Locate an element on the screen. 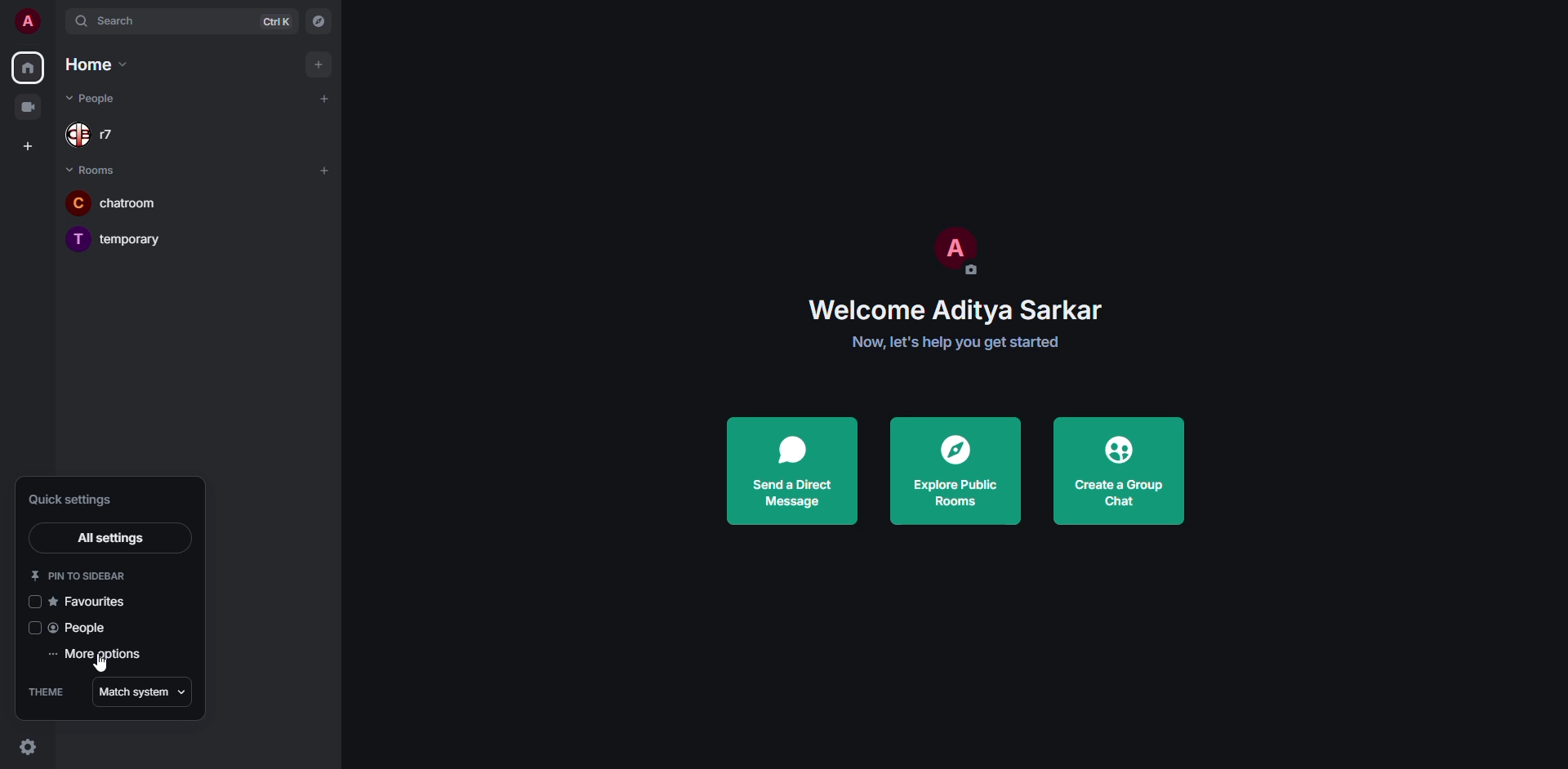 Image resolution: width=1568 pixels, height=769 pixels. video room is located at coordinates (29, 106).